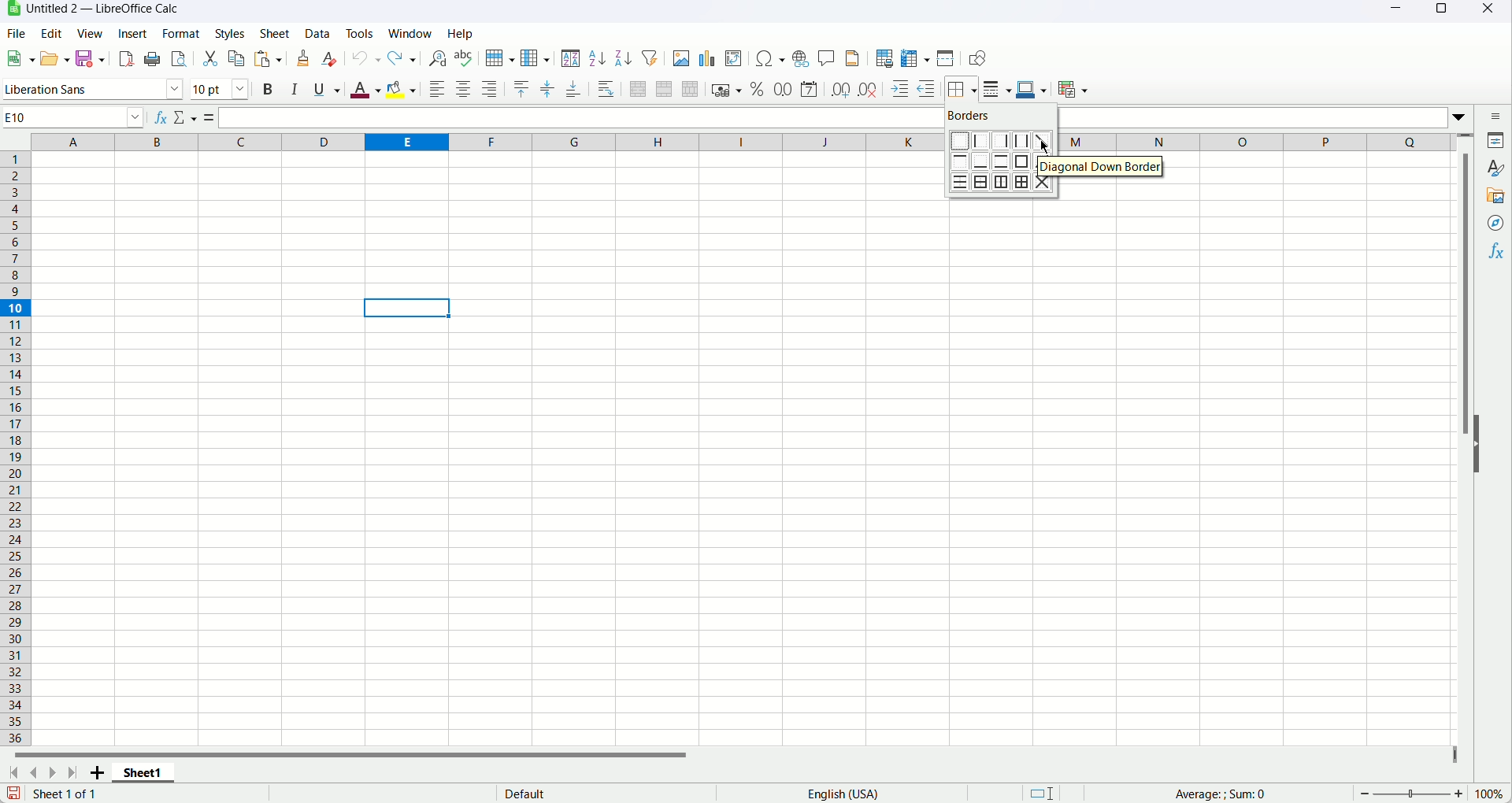  Describe the element at coordinates (980, 140) in the screenshot. I see `Left border` at that location.